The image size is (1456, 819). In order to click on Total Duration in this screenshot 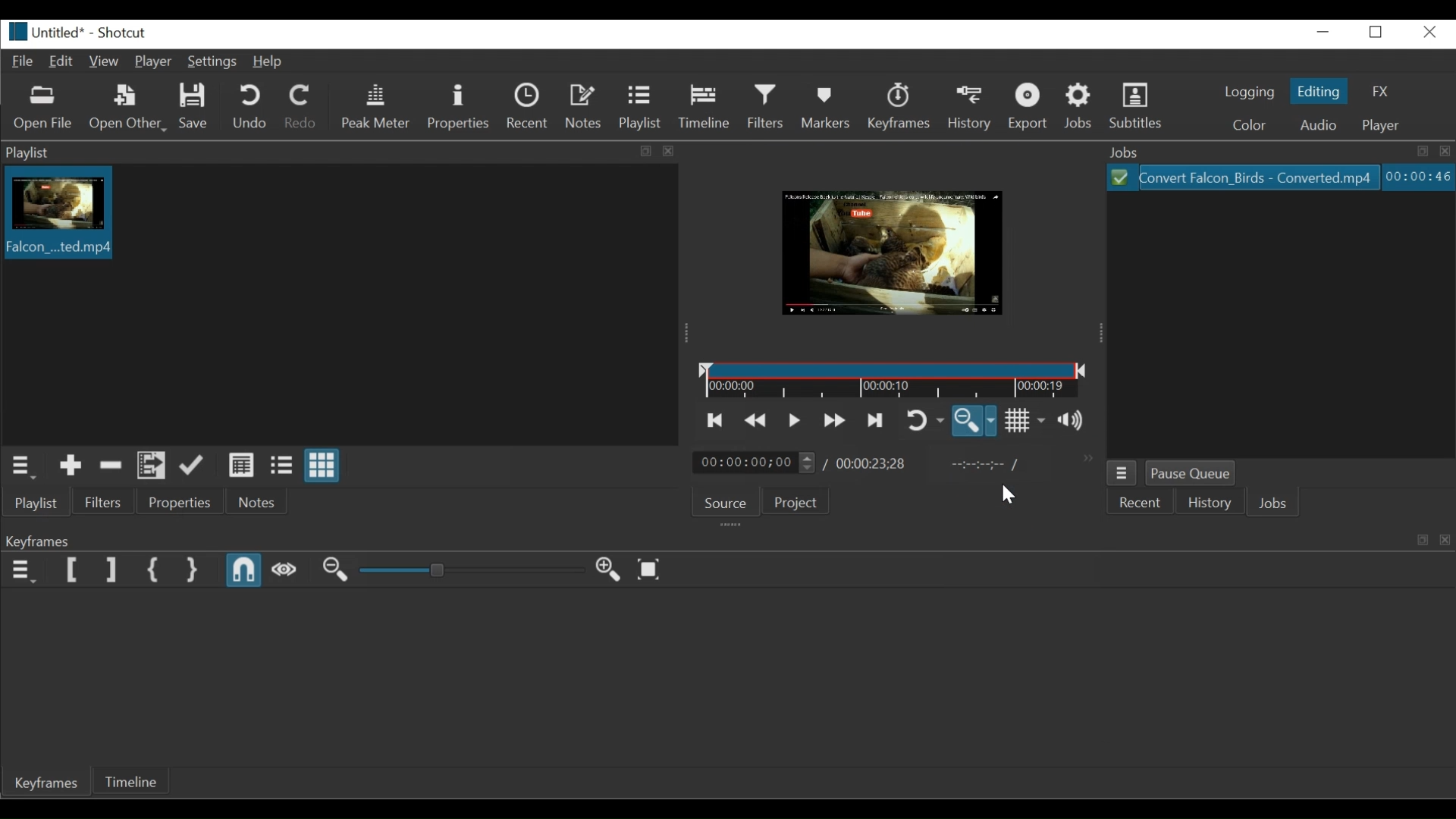, I will do `click(868, 463)`.